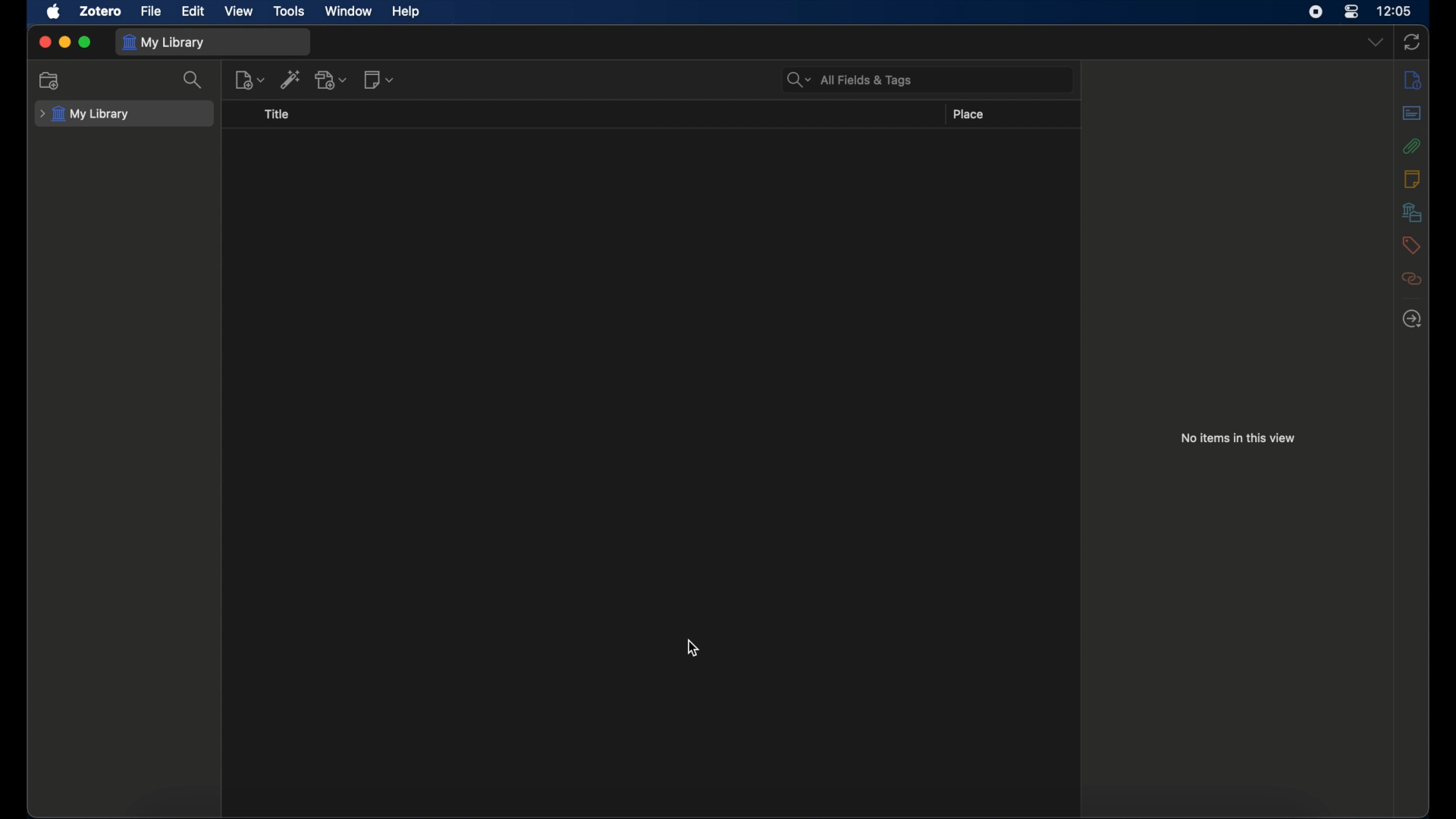  What do you see at coordinates (1411, 112) in the screenshot?
I see `abstract` at bounding box center [1411, 112].